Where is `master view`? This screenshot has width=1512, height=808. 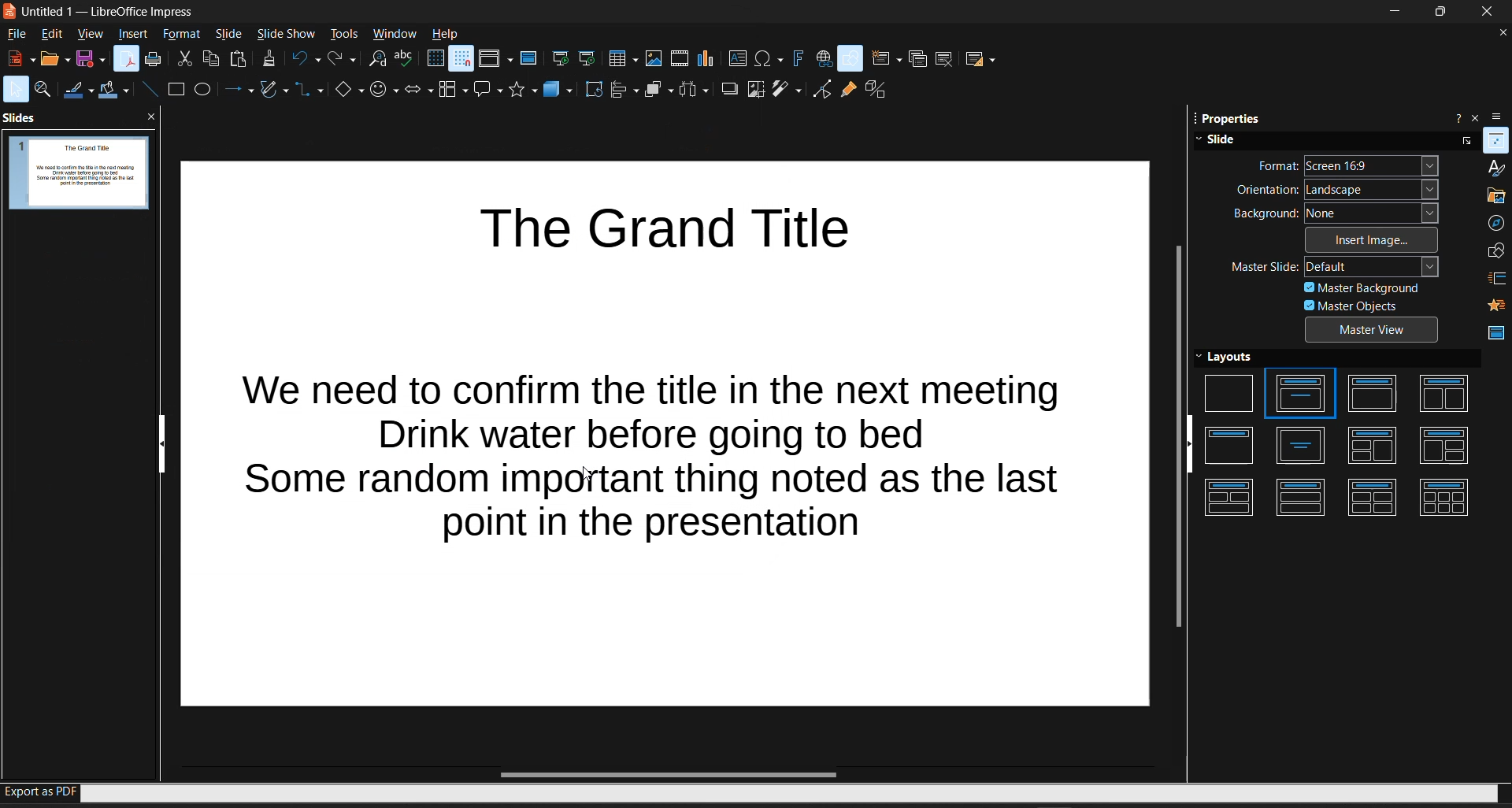 master view is located at coordinates (1374, 330).